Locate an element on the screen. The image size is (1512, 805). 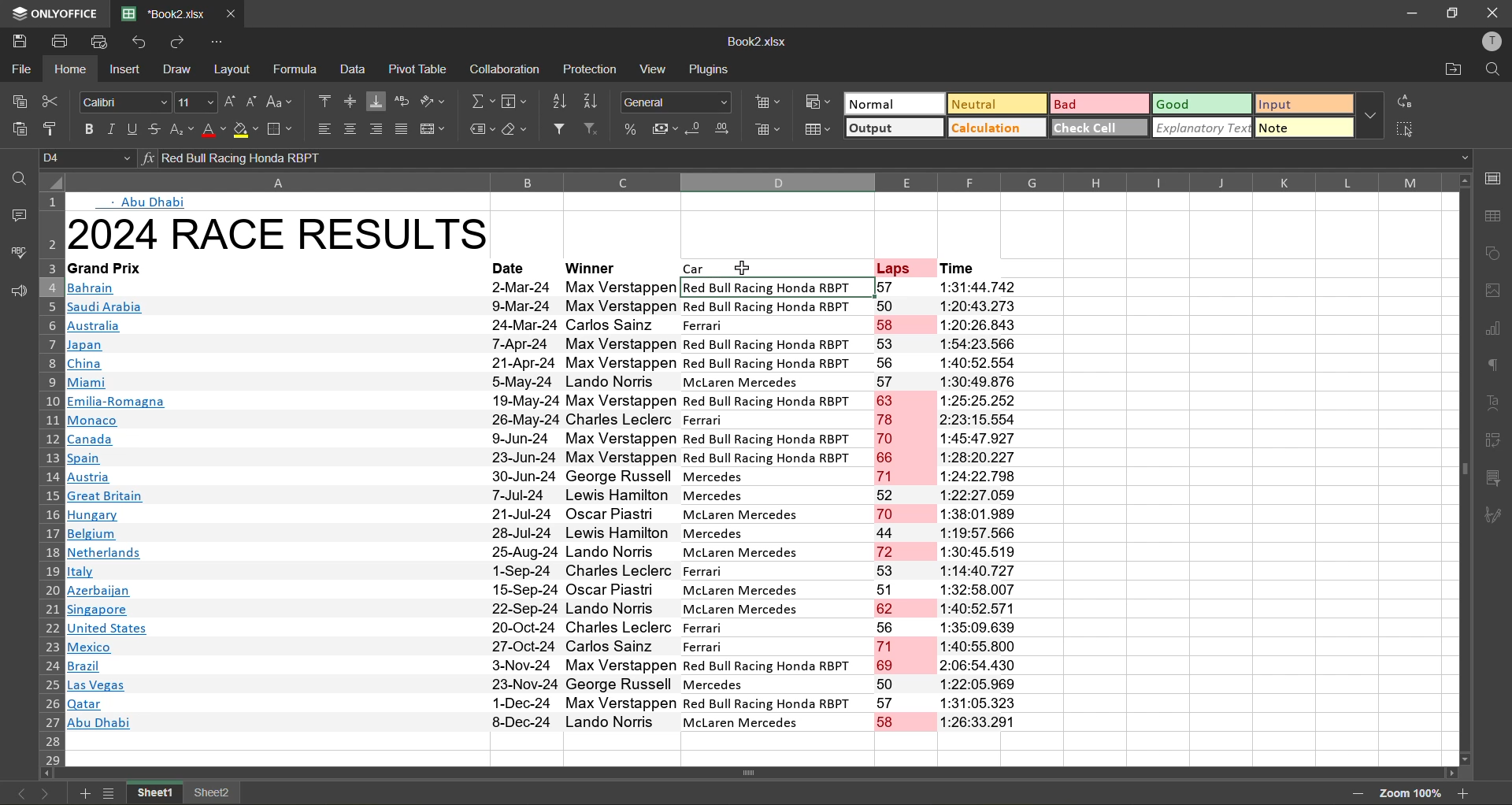
named ranges is located at coordinates (481, 129).